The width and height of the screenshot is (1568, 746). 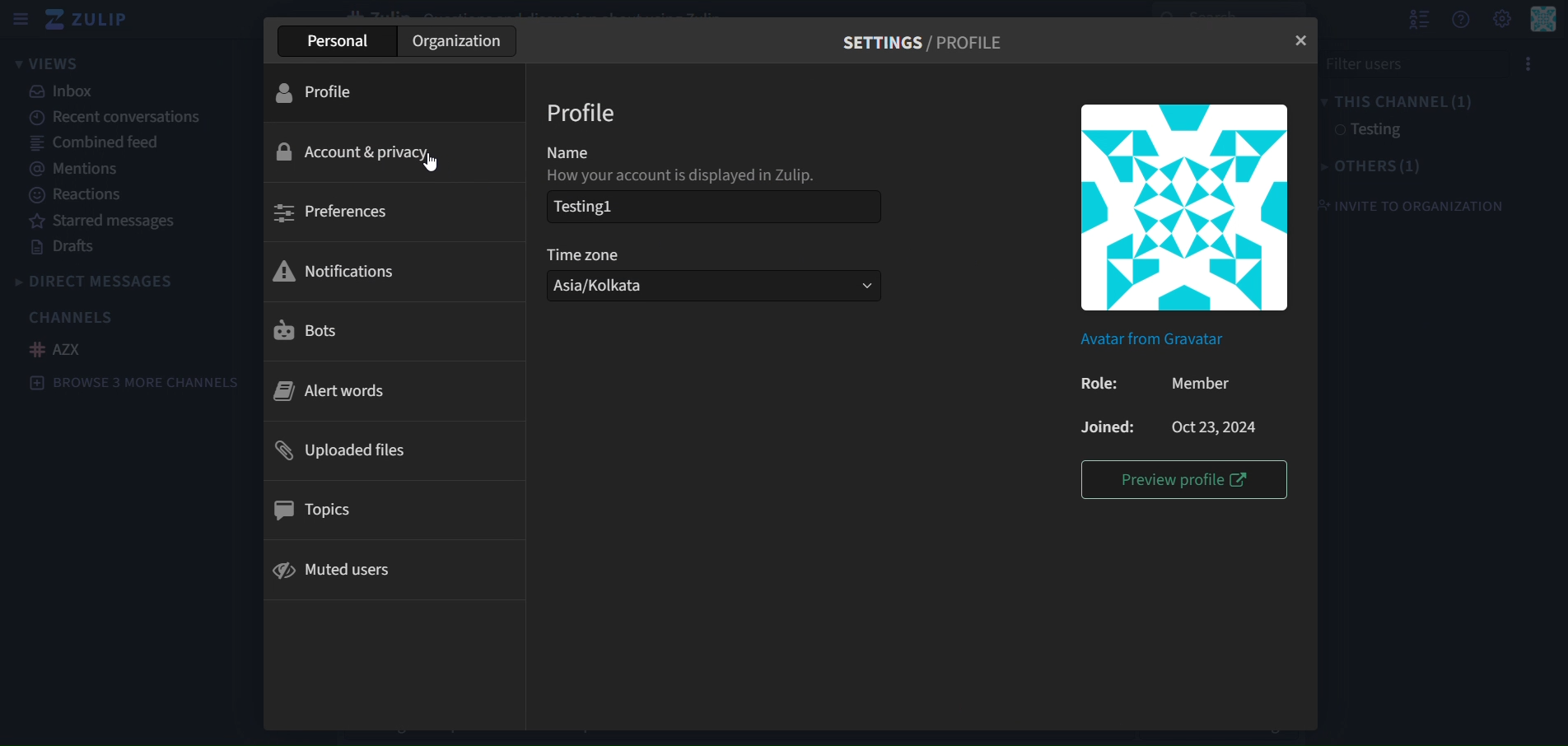 I want to click on How your account is displayed in Zulip, so click(x=683, y=176).